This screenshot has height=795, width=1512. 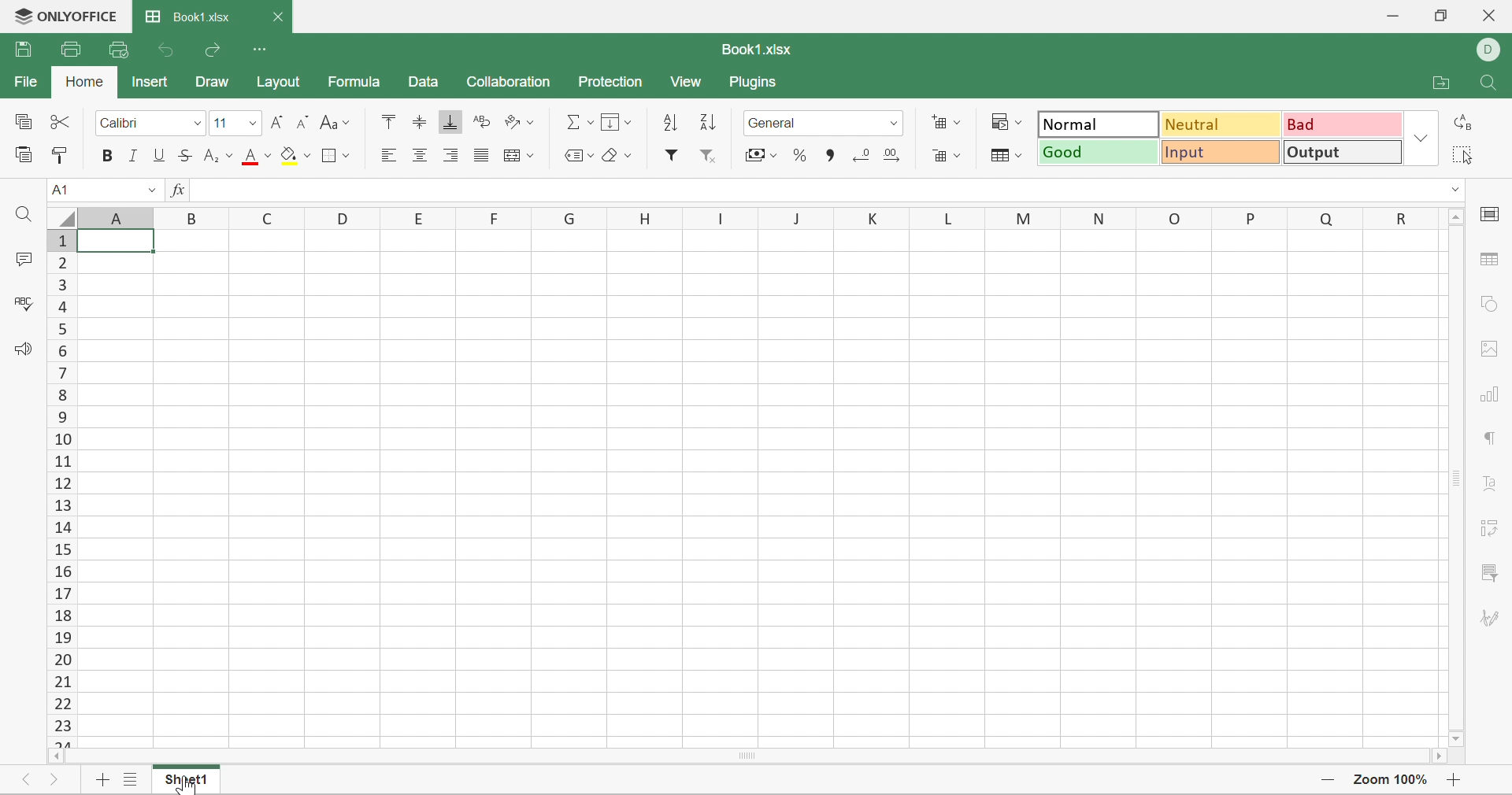 What do you see at coordinates (215, 54) in the screenshot?
I see `Redo` at bounding box center [215, 54].